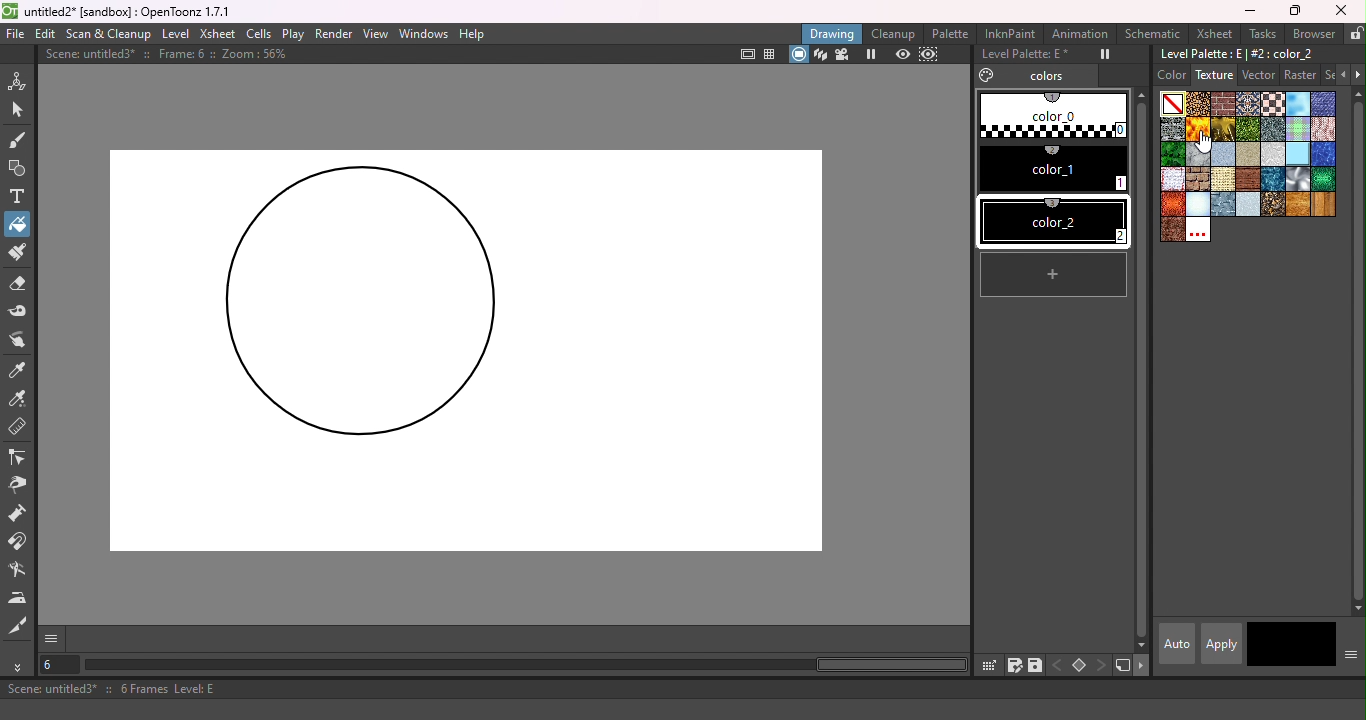  What do you see at coordinates (1165, 76) in the screenshot?
I see `Color` at bounding box center [1165, 76].